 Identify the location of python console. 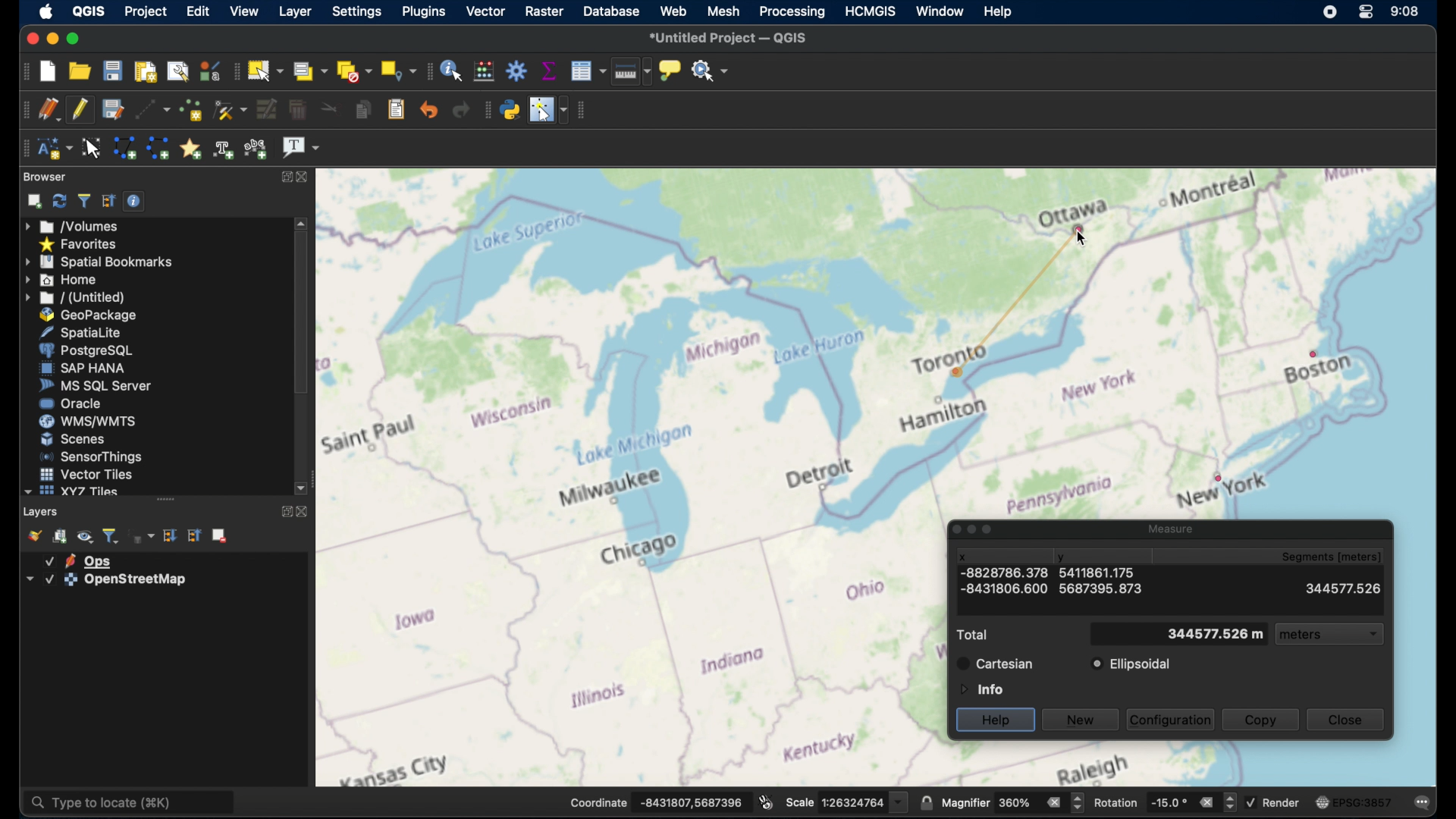
(510, 108).